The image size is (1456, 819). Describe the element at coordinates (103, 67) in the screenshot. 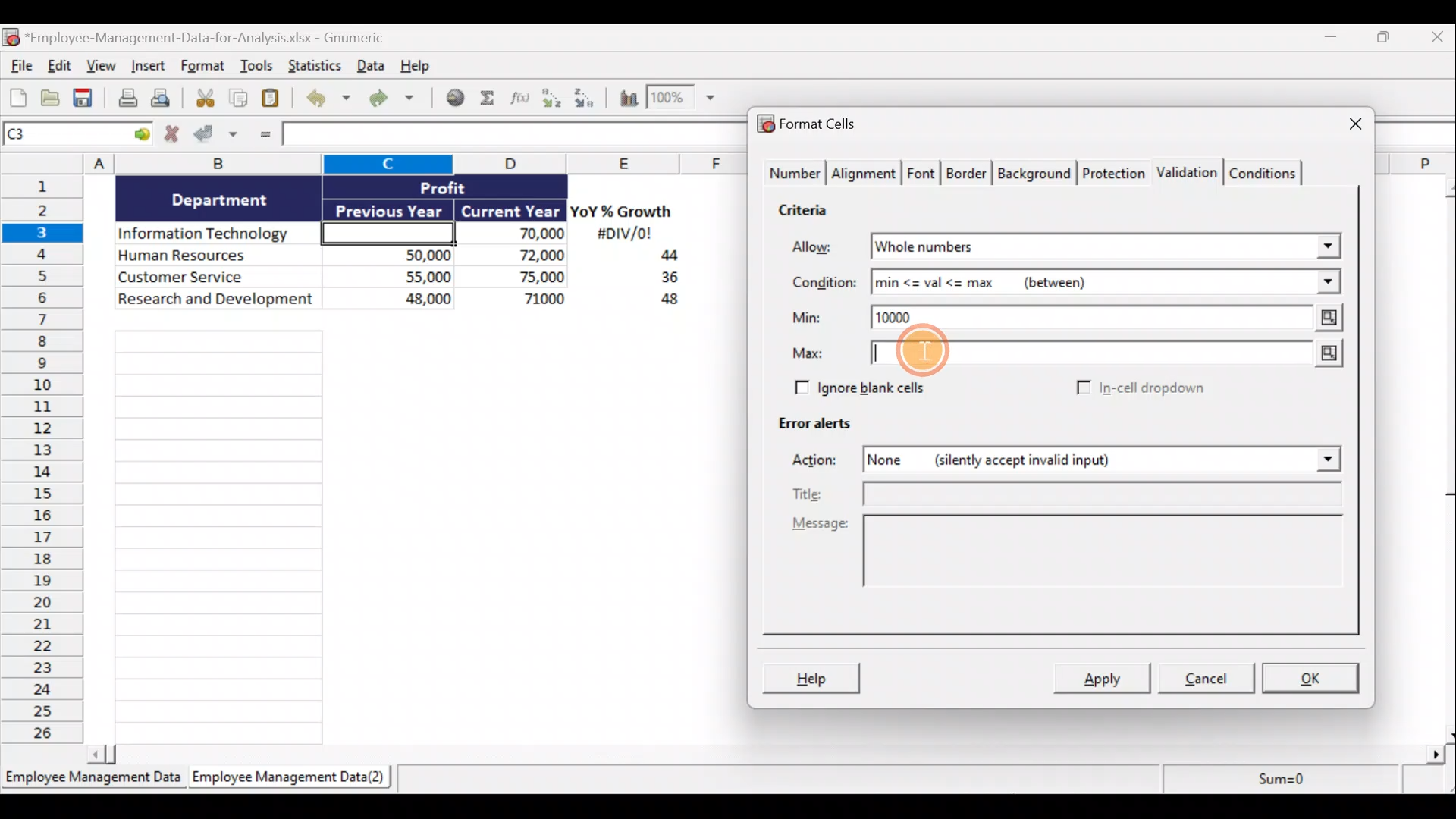

I see `View` at that location.